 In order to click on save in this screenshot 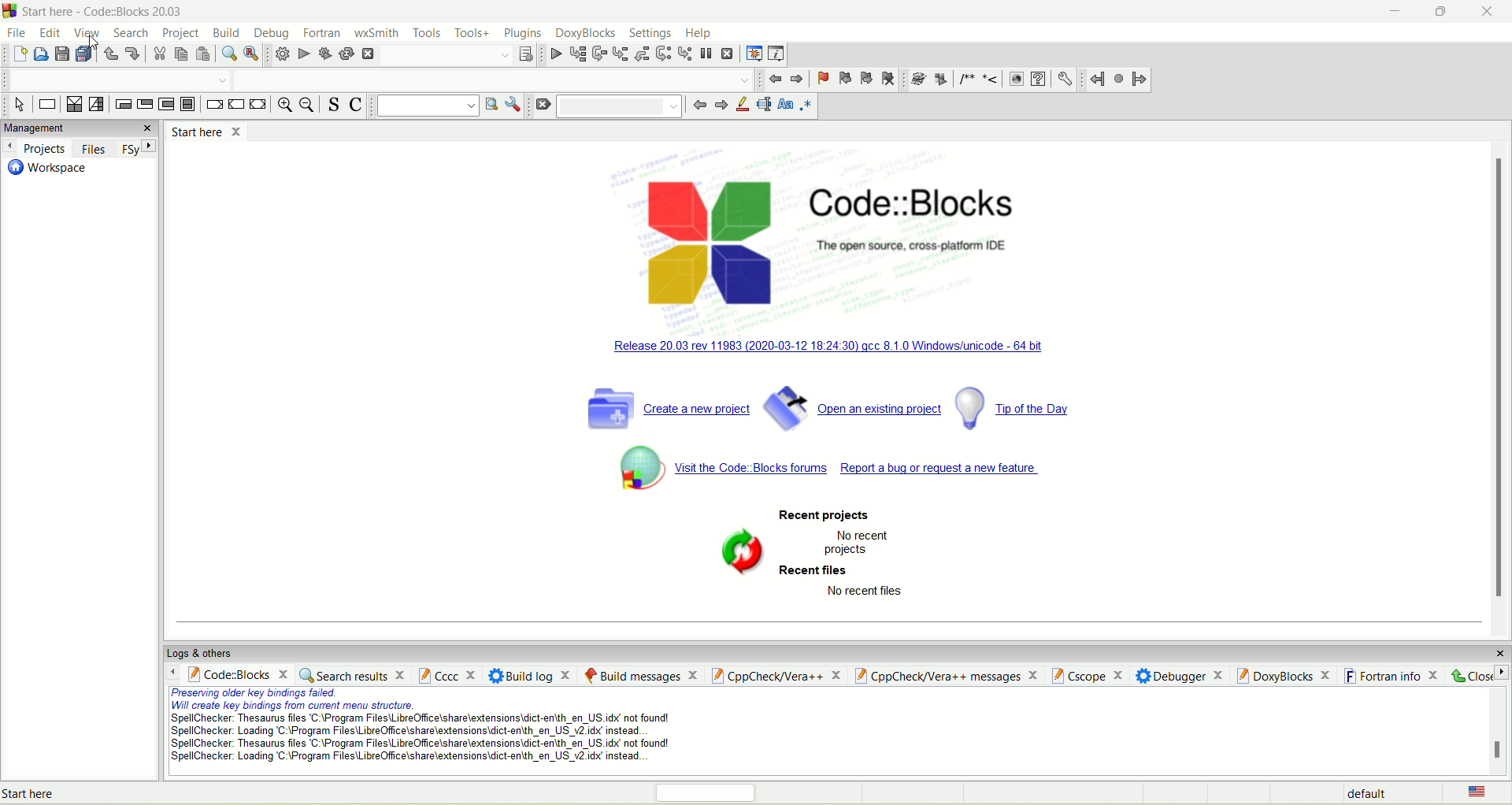, I will do `click(61, 54)`.